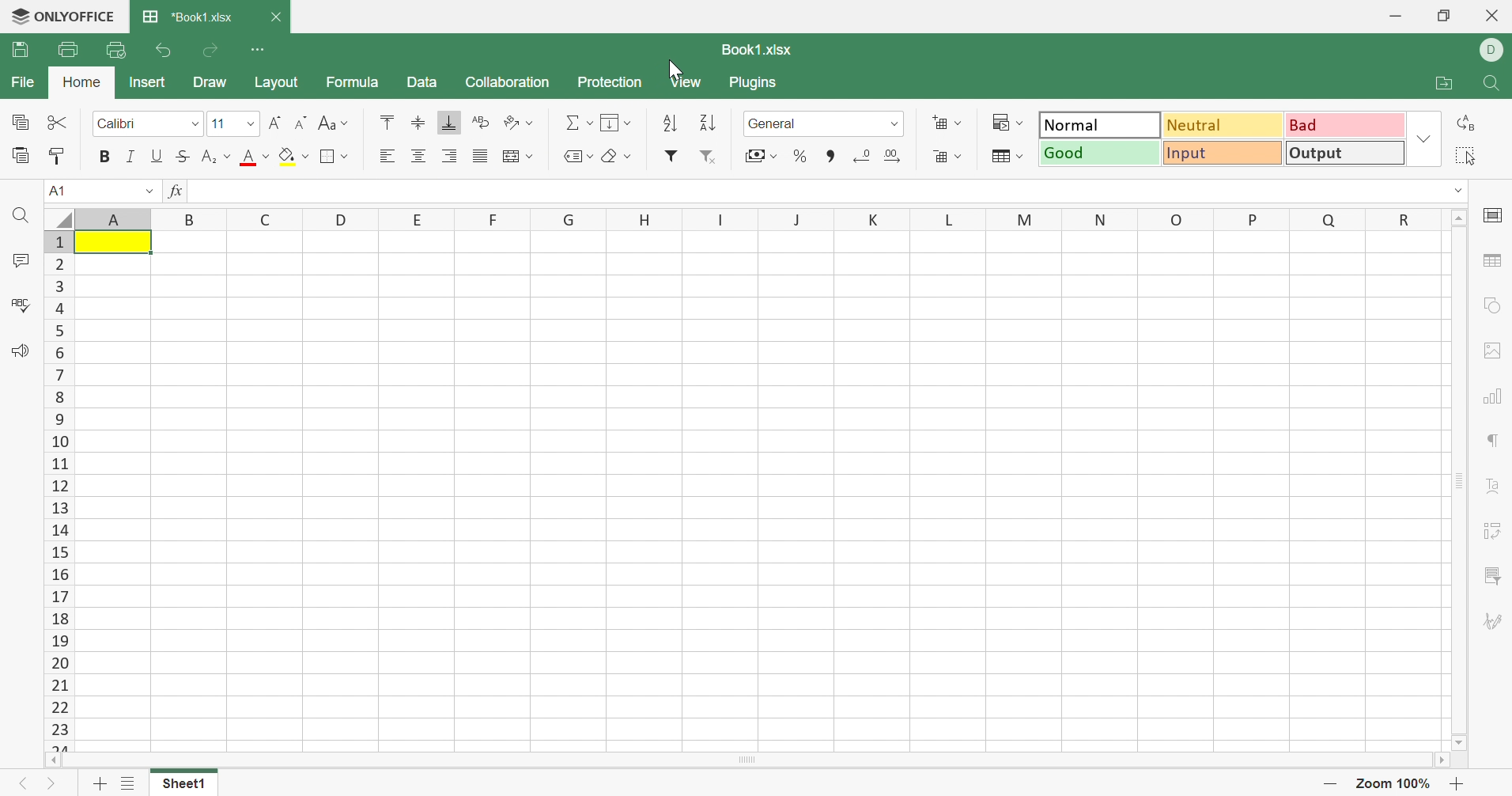 This screenshot has width=1512, height=796. What do you see at coordinates (1424, 139) in the screenshot?
I see `Drop Down` at bounding box center [1424, 139].